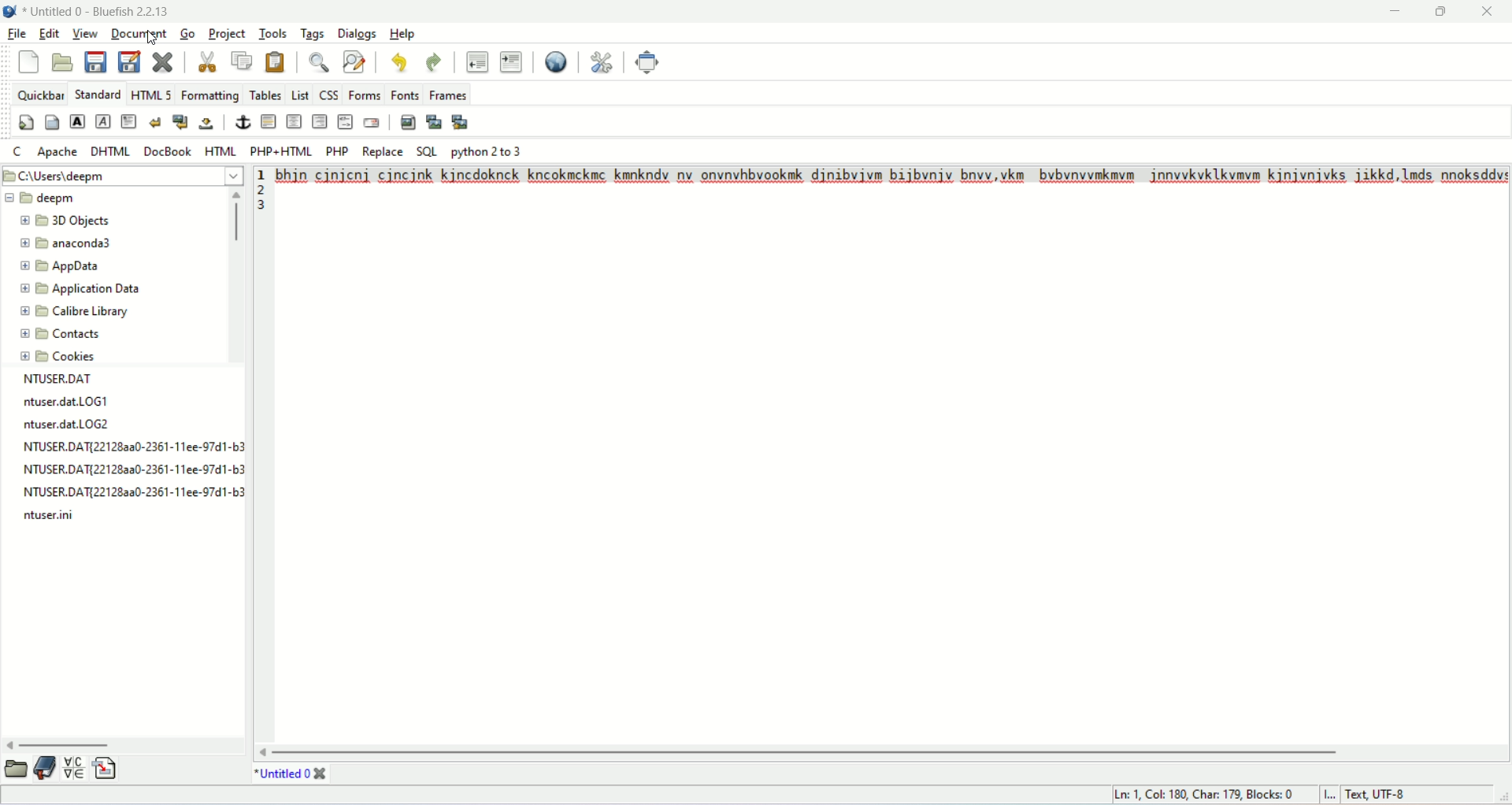 Image resolution: width=1512 pixels, height=805 pixels. What do you see at coordinates (202, 60) in the screenshot?
I see `cut` at bounding box center [202, 60].